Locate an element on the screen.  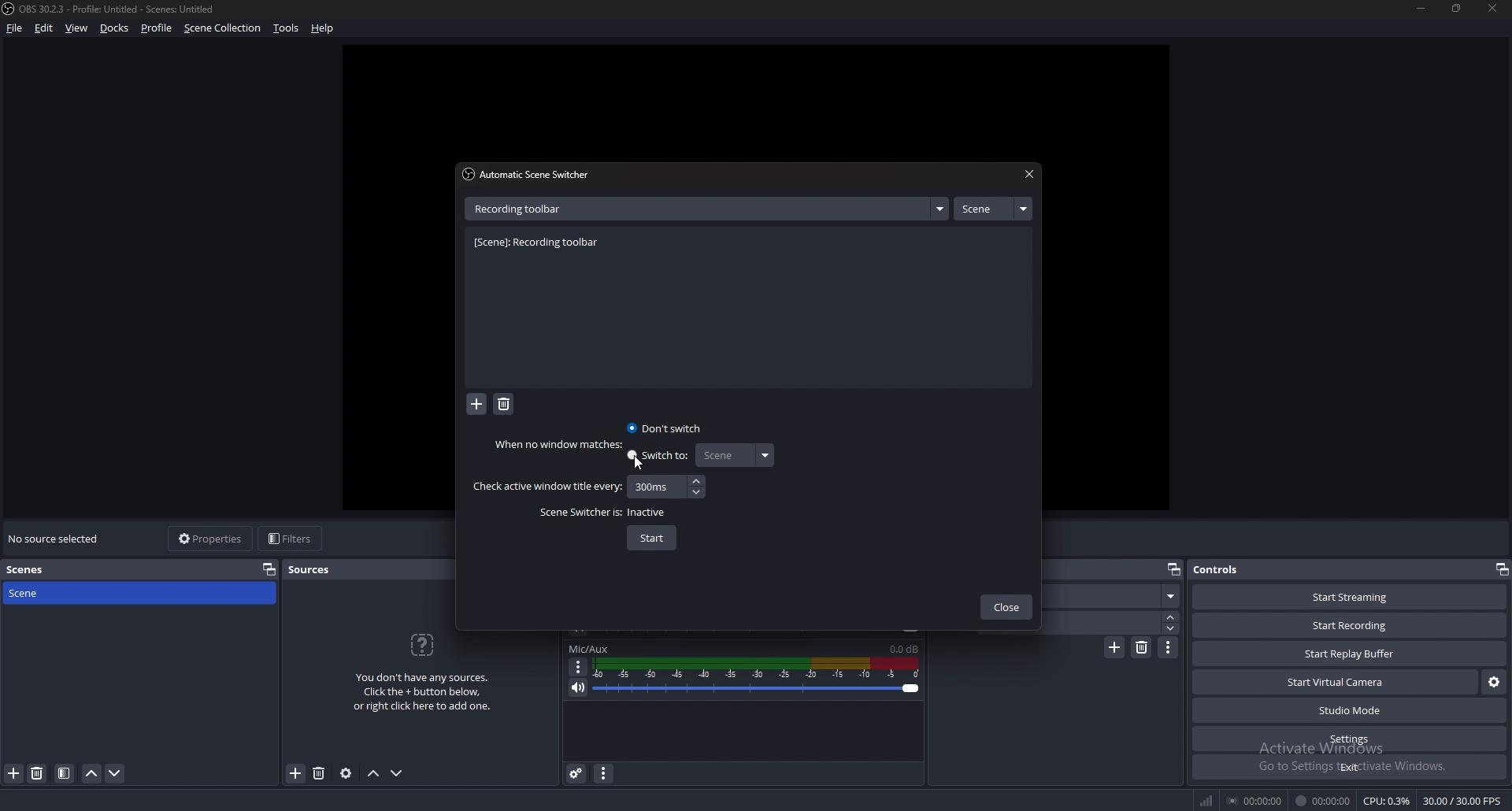
check active window title every is located at coordinates (547, 487).